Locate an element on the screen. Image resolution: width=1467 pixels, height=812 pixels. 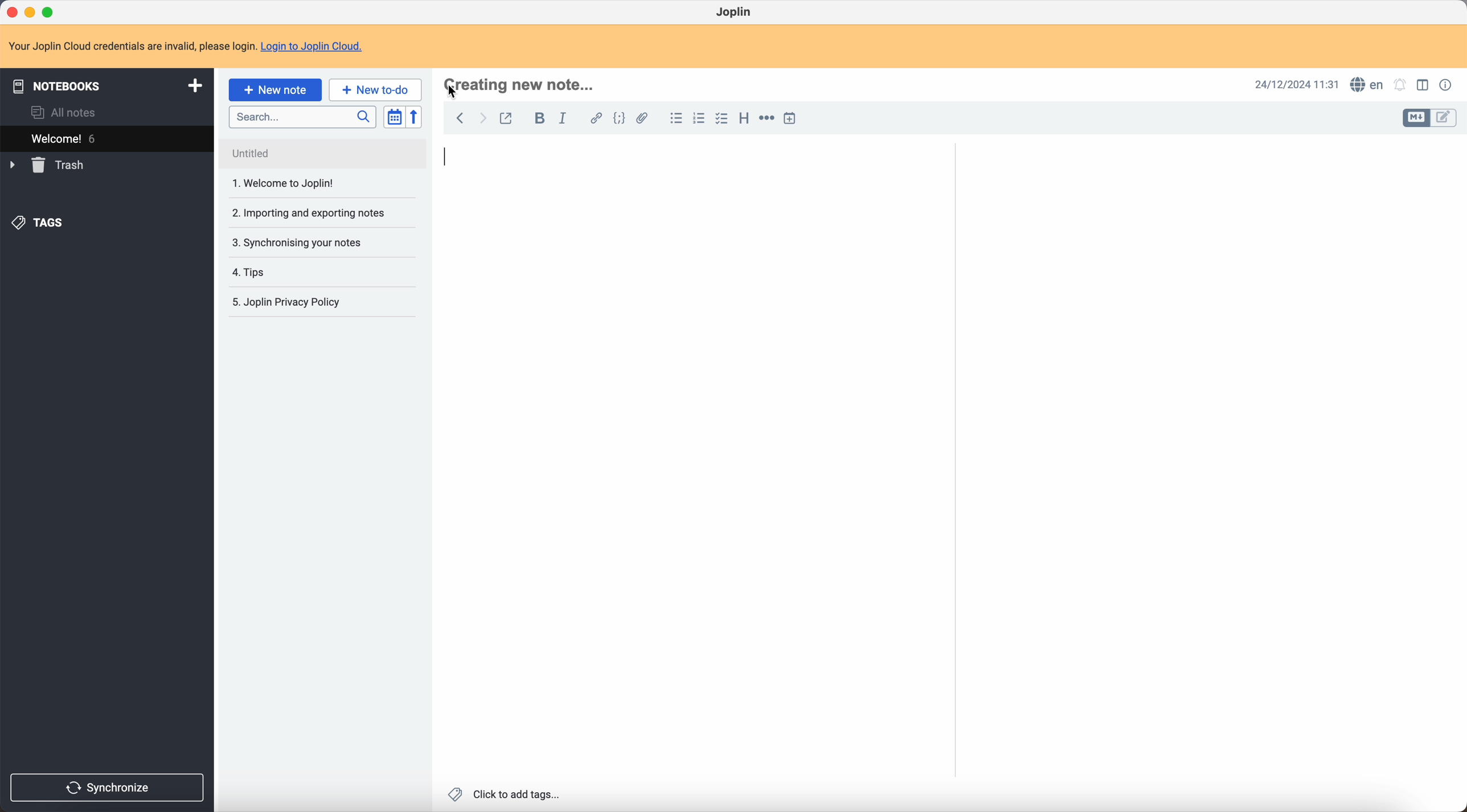
bold is located at coordinates (538, 118).